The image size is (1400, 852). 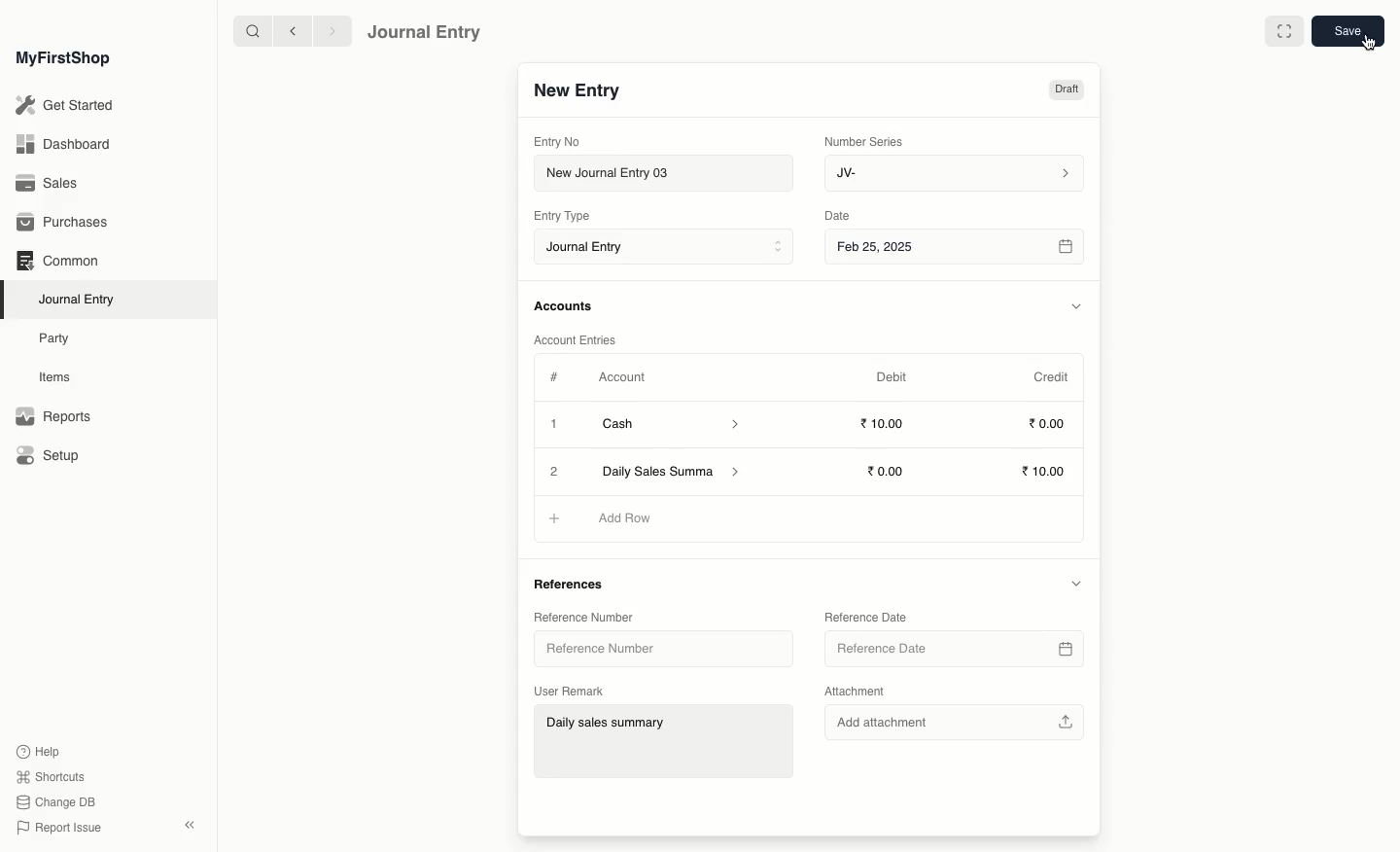 I want to click on User Remark, so click(x=573, y=689).